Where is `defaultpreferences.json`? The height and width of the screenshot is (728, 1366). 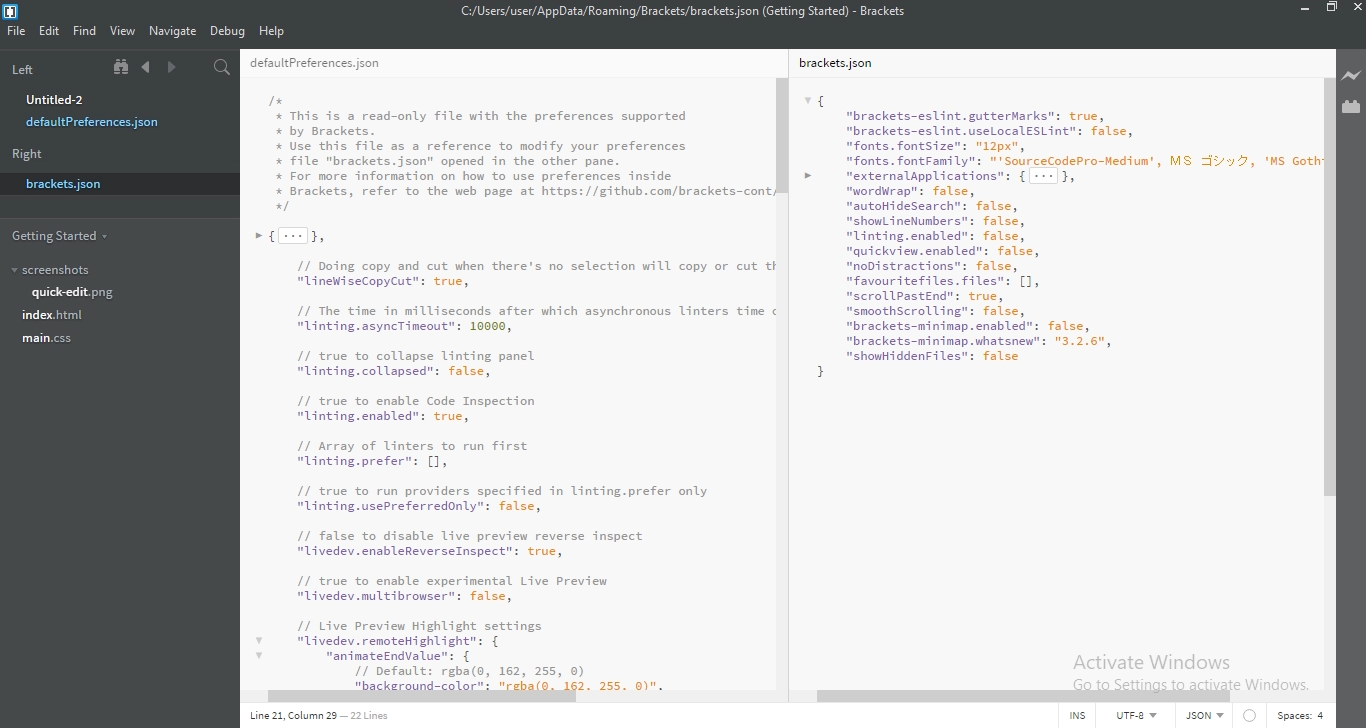 defaultpreferences.json is located at coordinates (95, 124).